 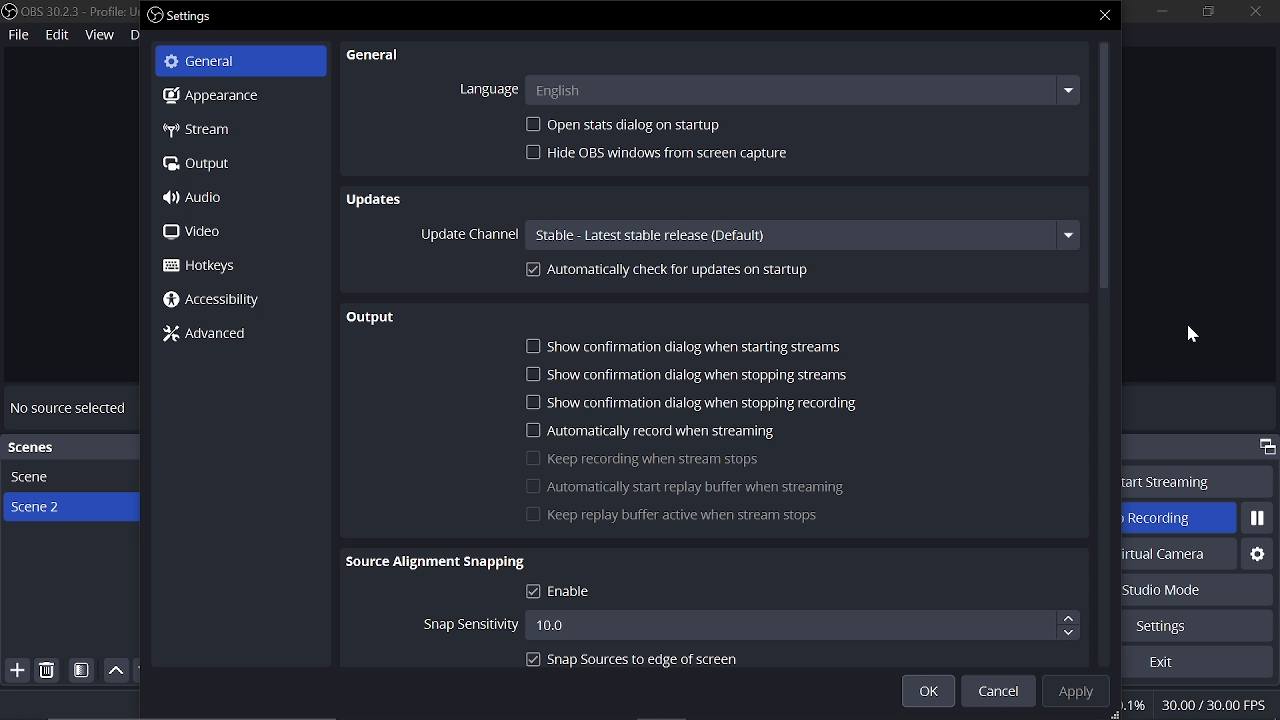 What do you see at coordinates (645, 458) in the screenshot?
I see `keep recording when stream stops` at bounding box center [645, 458].